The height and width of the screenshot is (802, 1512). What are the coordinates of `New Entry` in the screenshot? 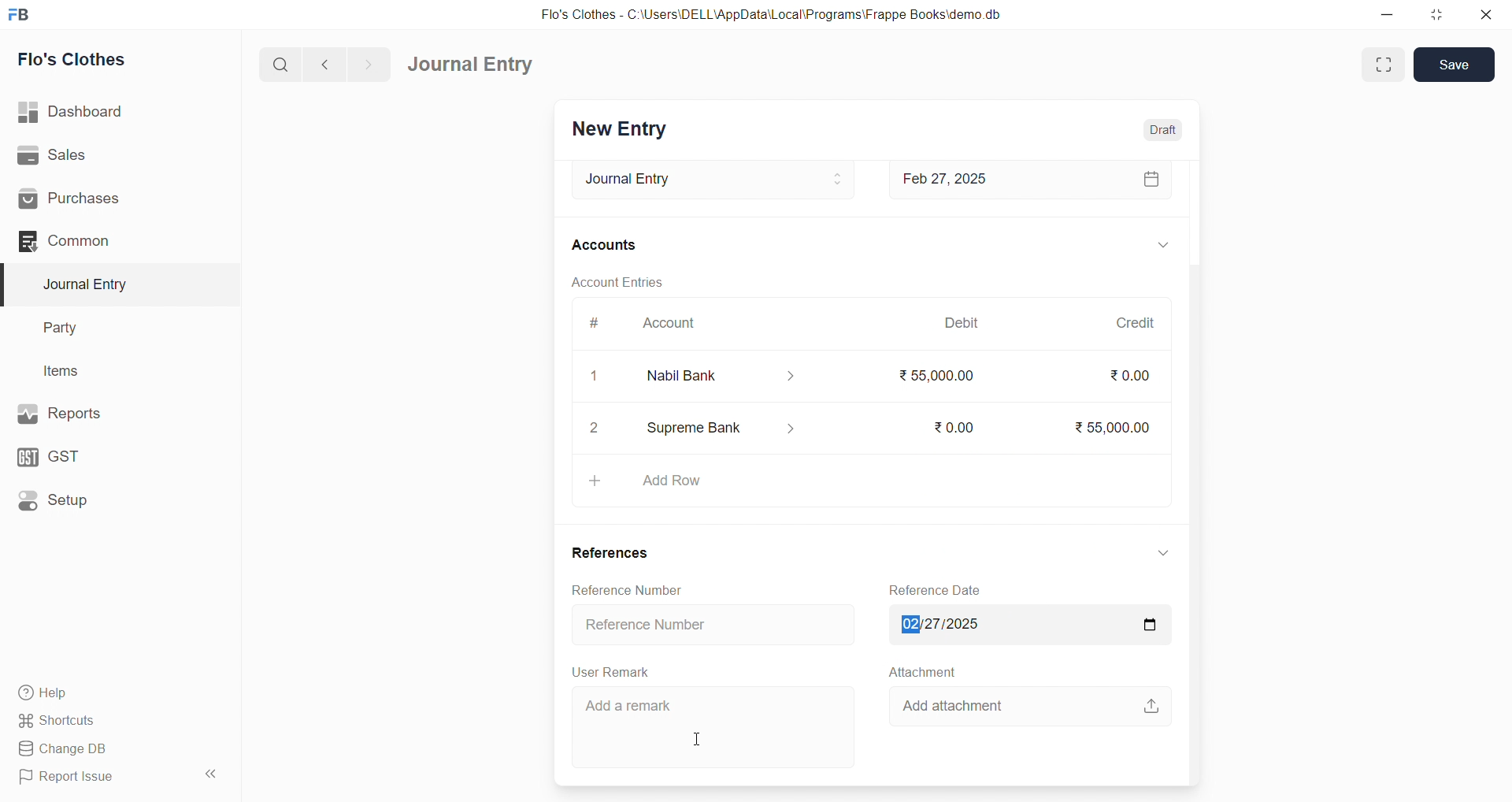 It's located at (622, 130).